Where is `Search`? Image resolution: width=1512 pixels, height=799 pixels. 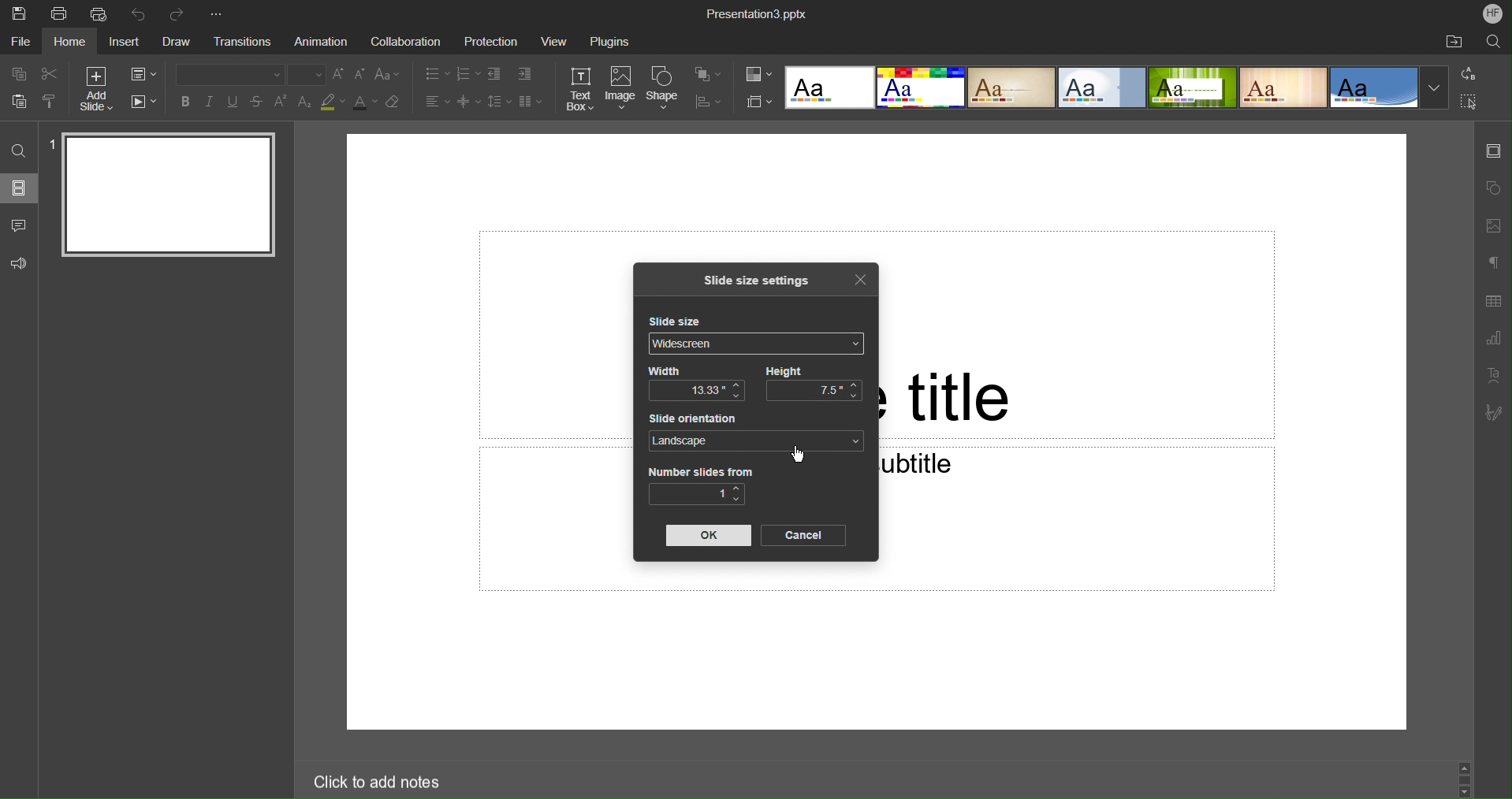
Search is located at coordinates (1492, 43).